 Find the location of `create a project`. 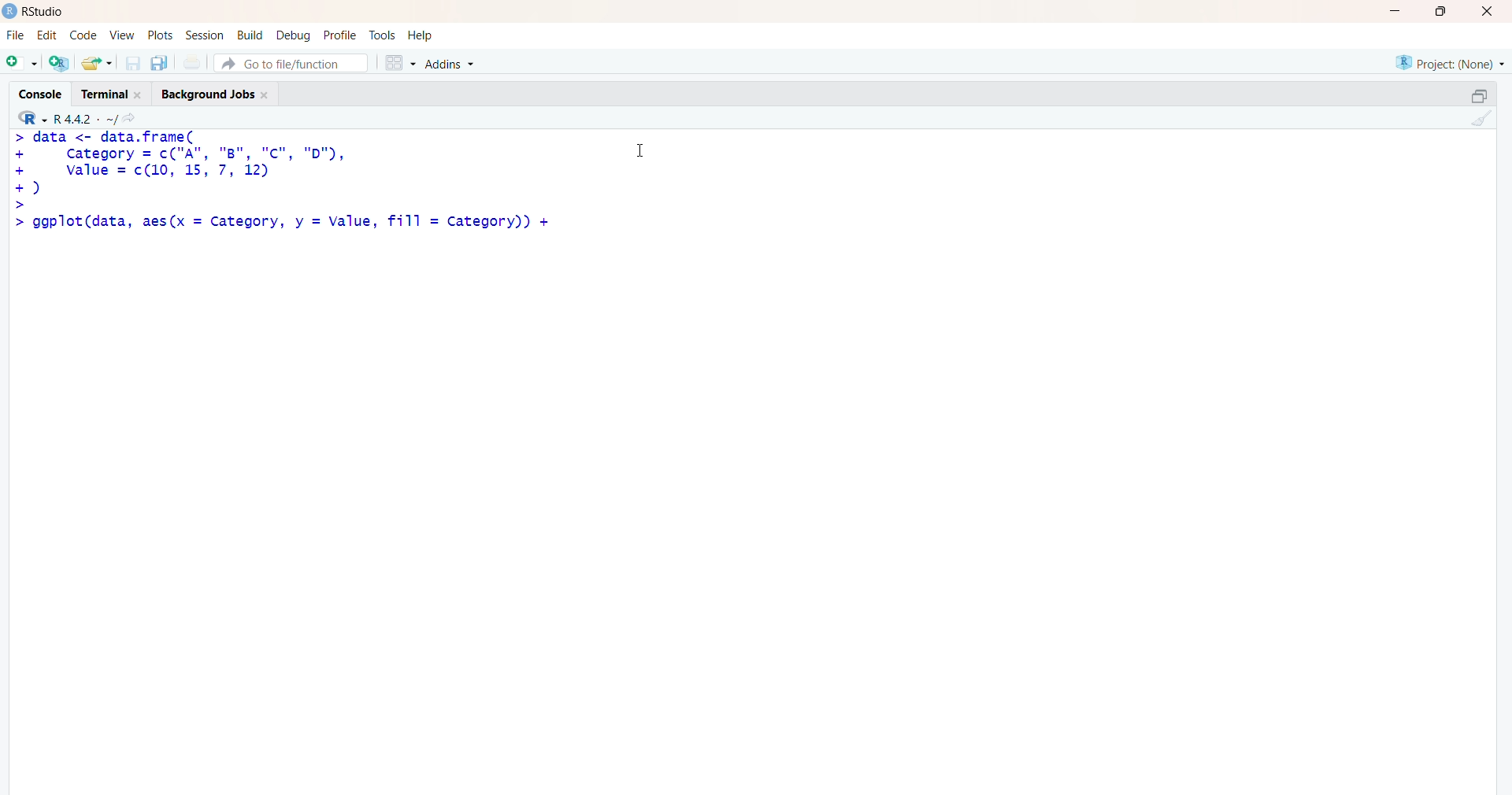

create a project is located at coordinates (58, 62).